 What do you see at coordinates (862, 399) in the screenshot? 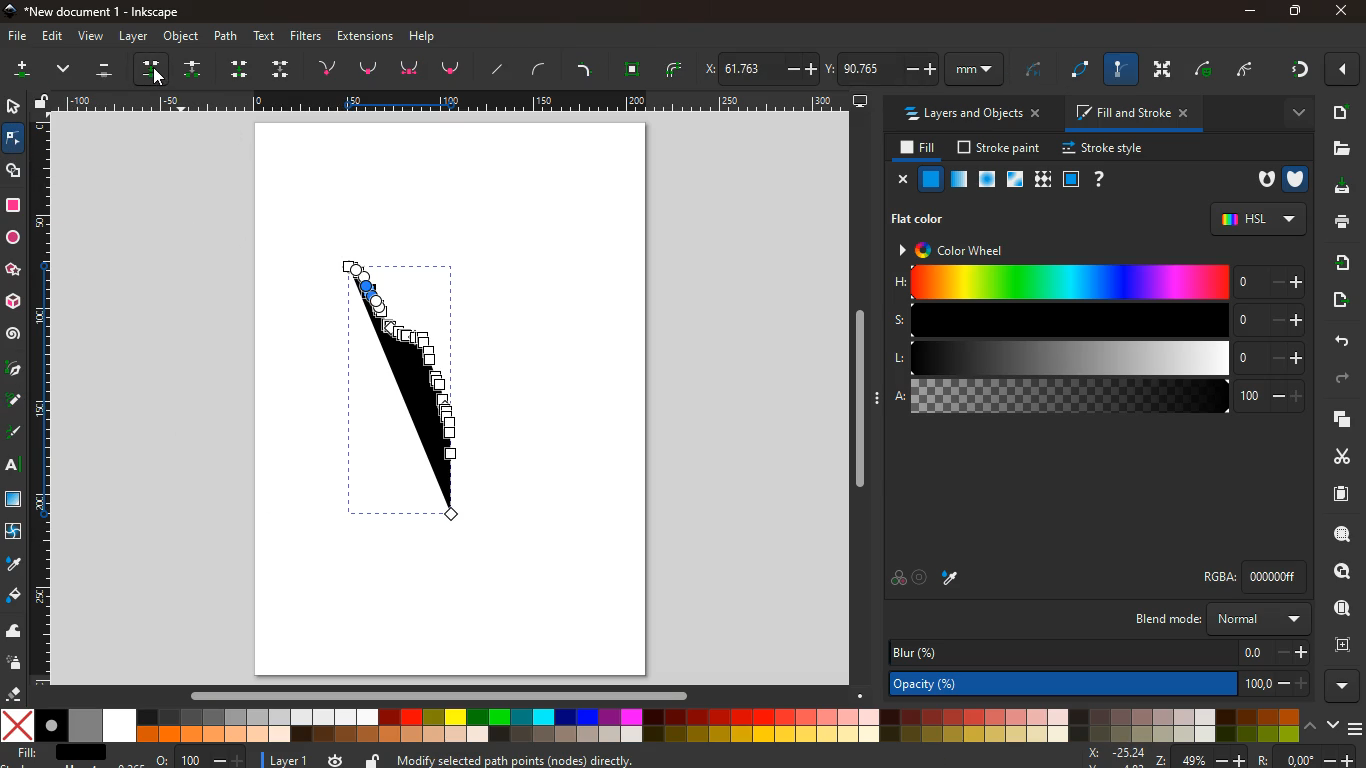
I see `Vertical slider` at bounding box center [862, 399].